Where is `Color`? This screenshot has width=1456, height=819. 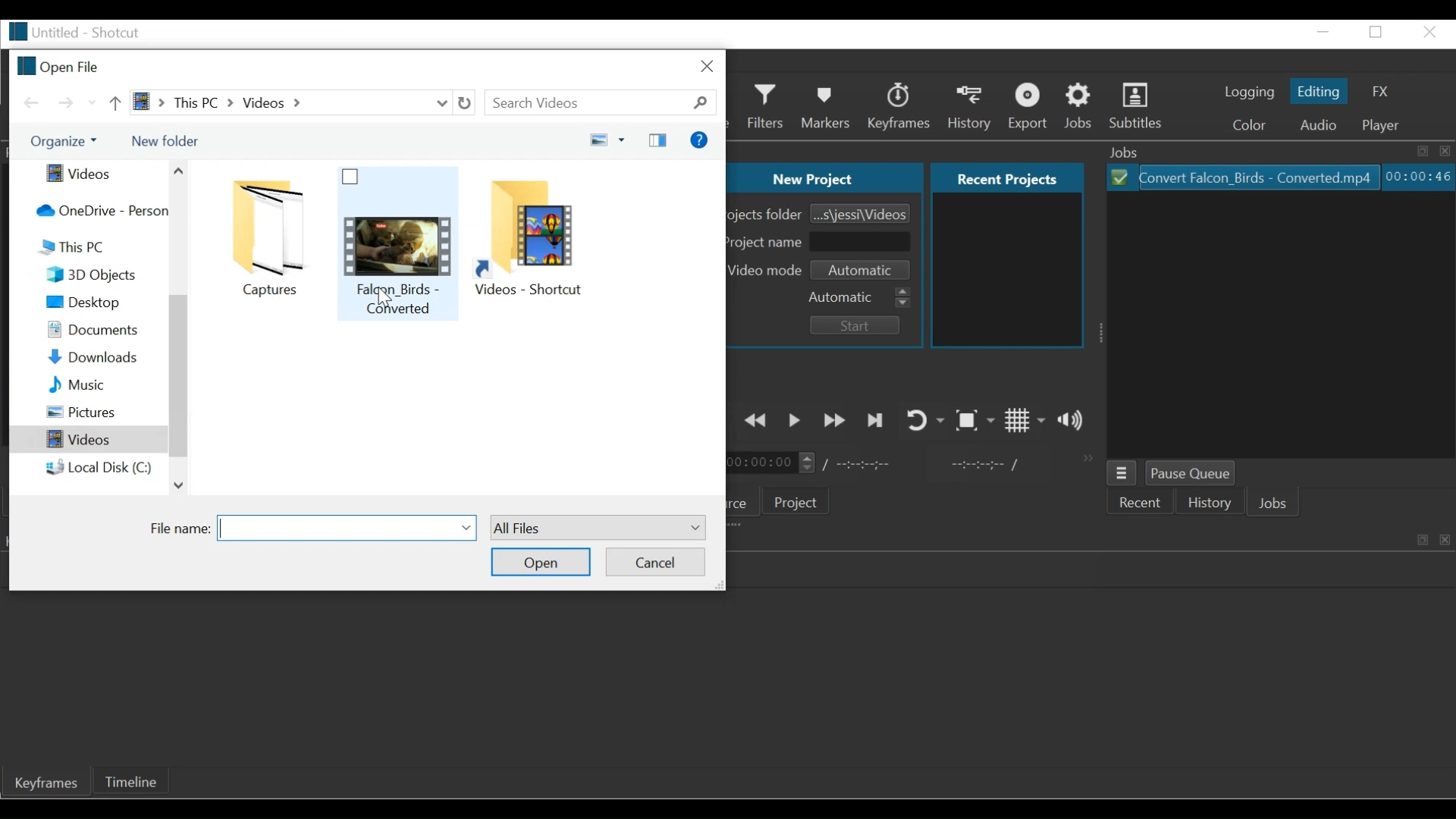 Color is located at coordinates (1254, 127).